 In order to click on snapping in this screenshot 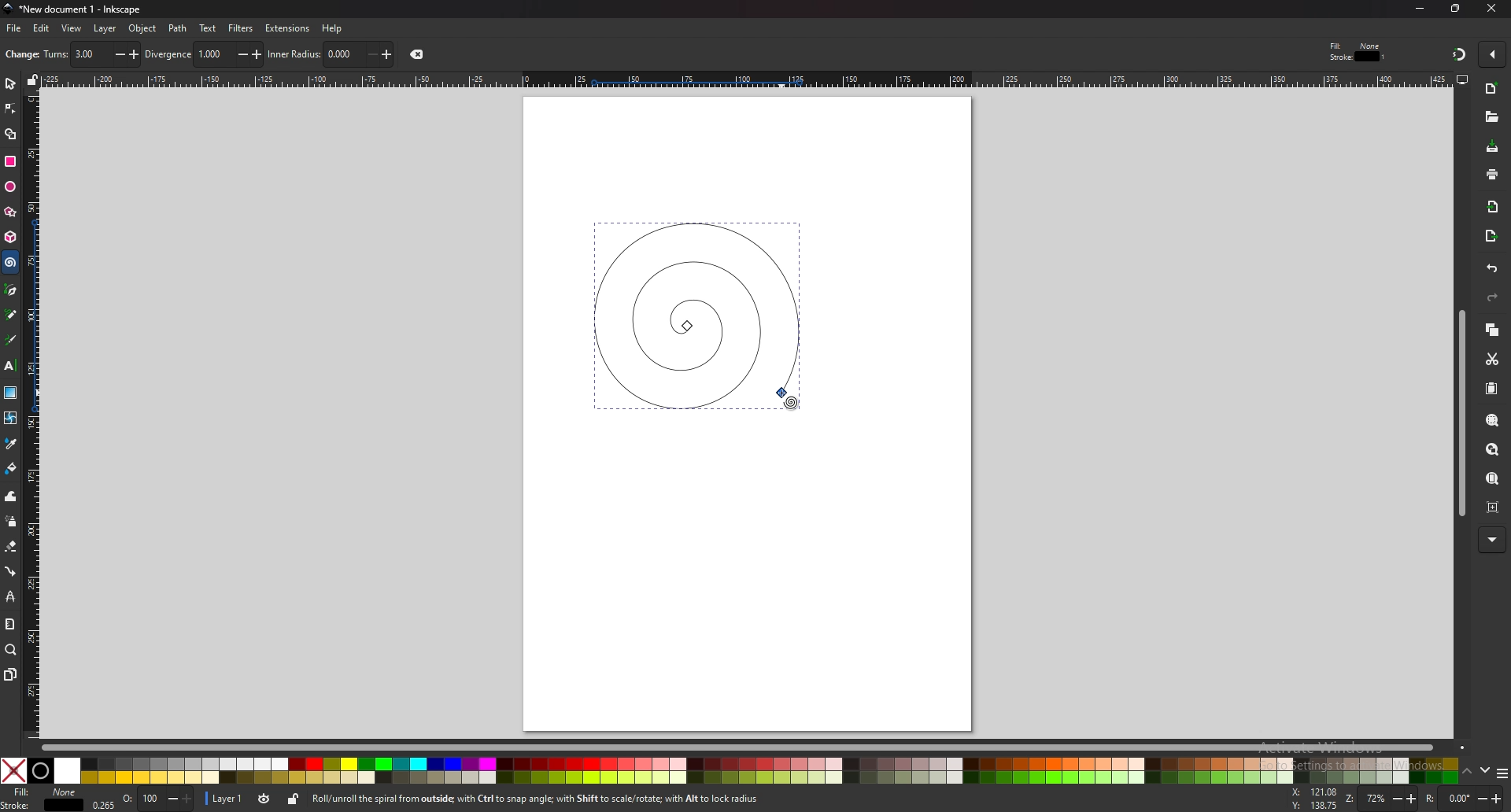, I will do `click(1457, 54)`.